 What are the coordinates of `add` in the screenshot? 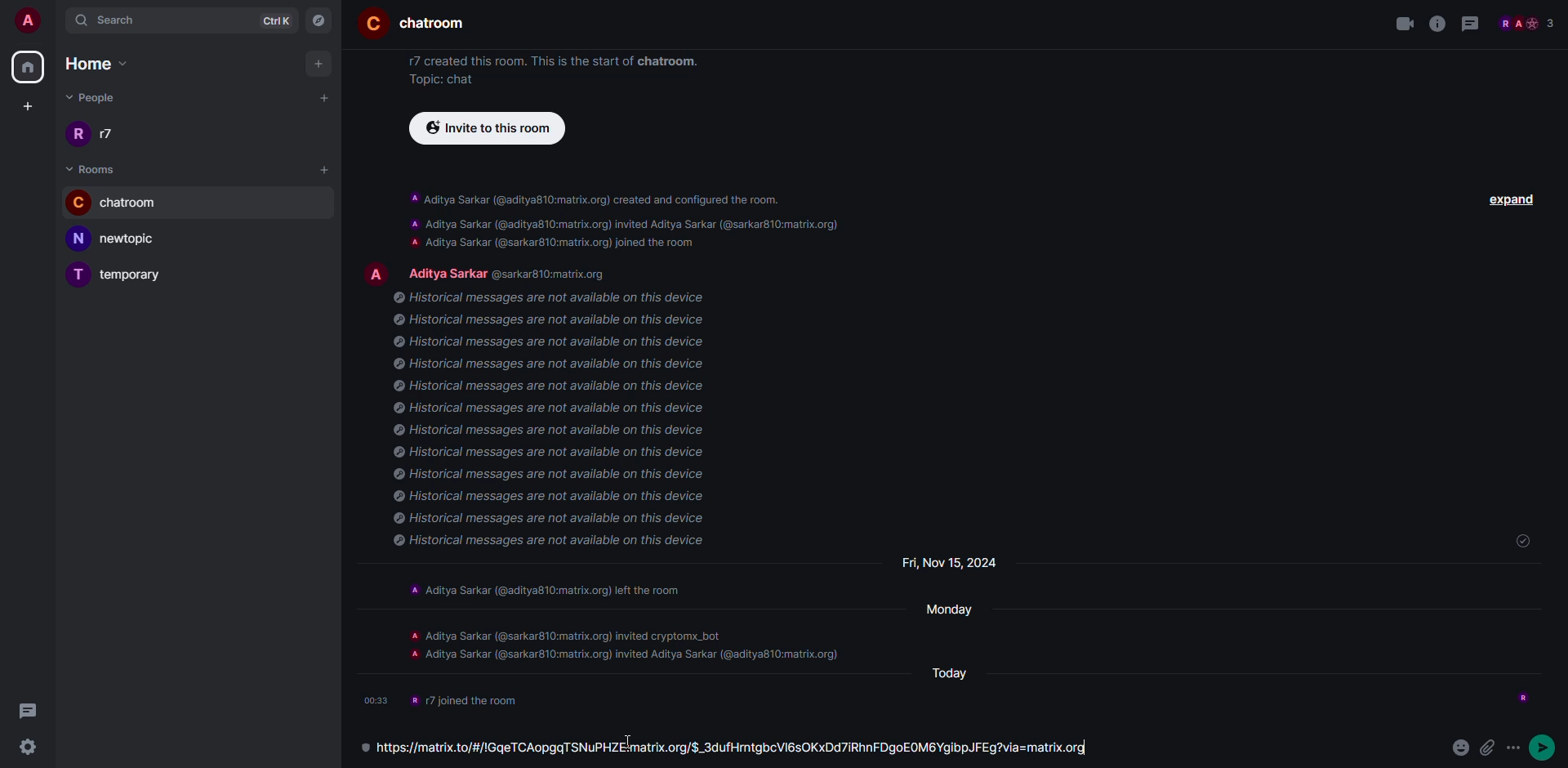 It's located at (327, 169).